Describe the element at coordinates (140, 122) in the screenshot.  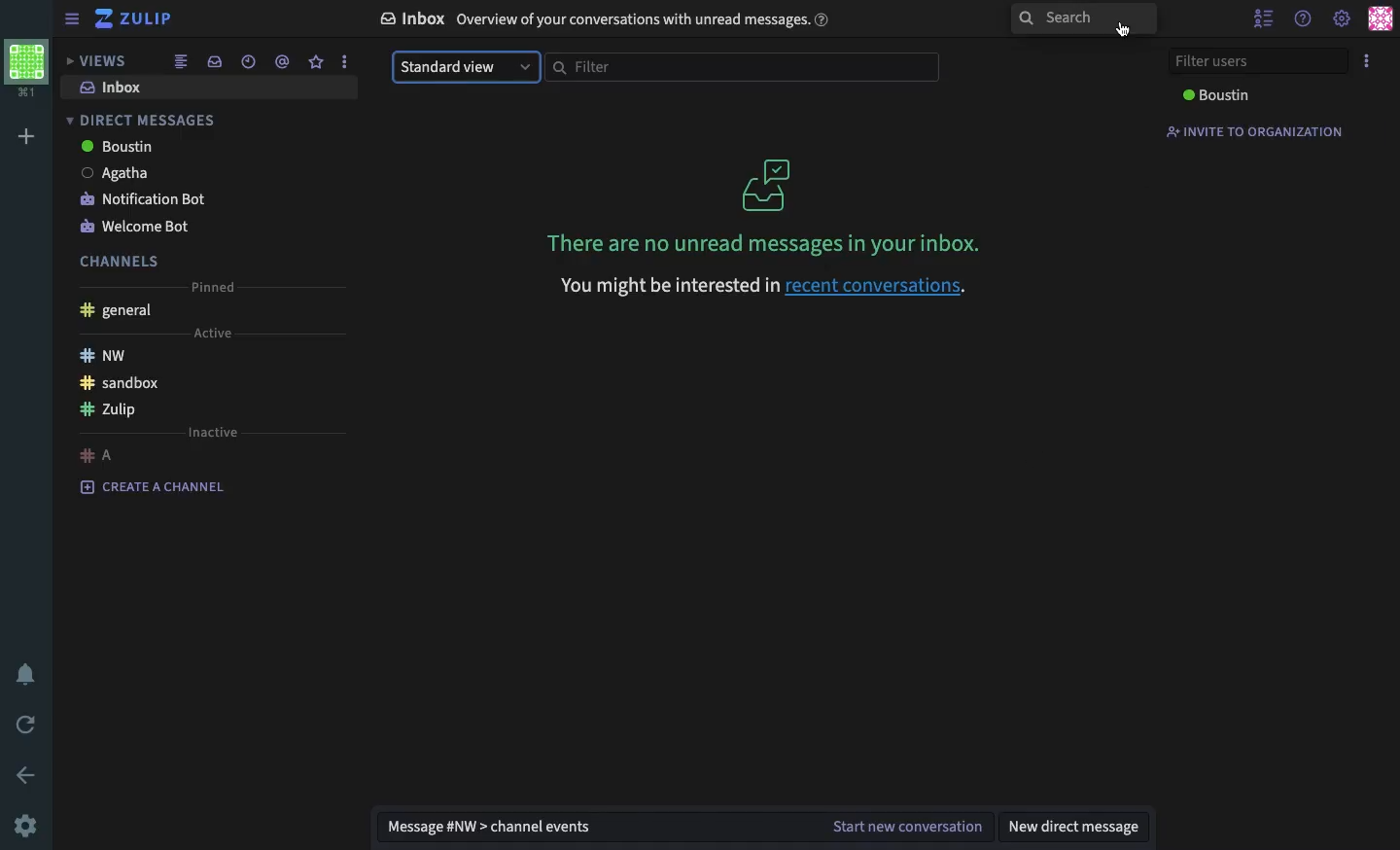
I see `direct messages` at that location.